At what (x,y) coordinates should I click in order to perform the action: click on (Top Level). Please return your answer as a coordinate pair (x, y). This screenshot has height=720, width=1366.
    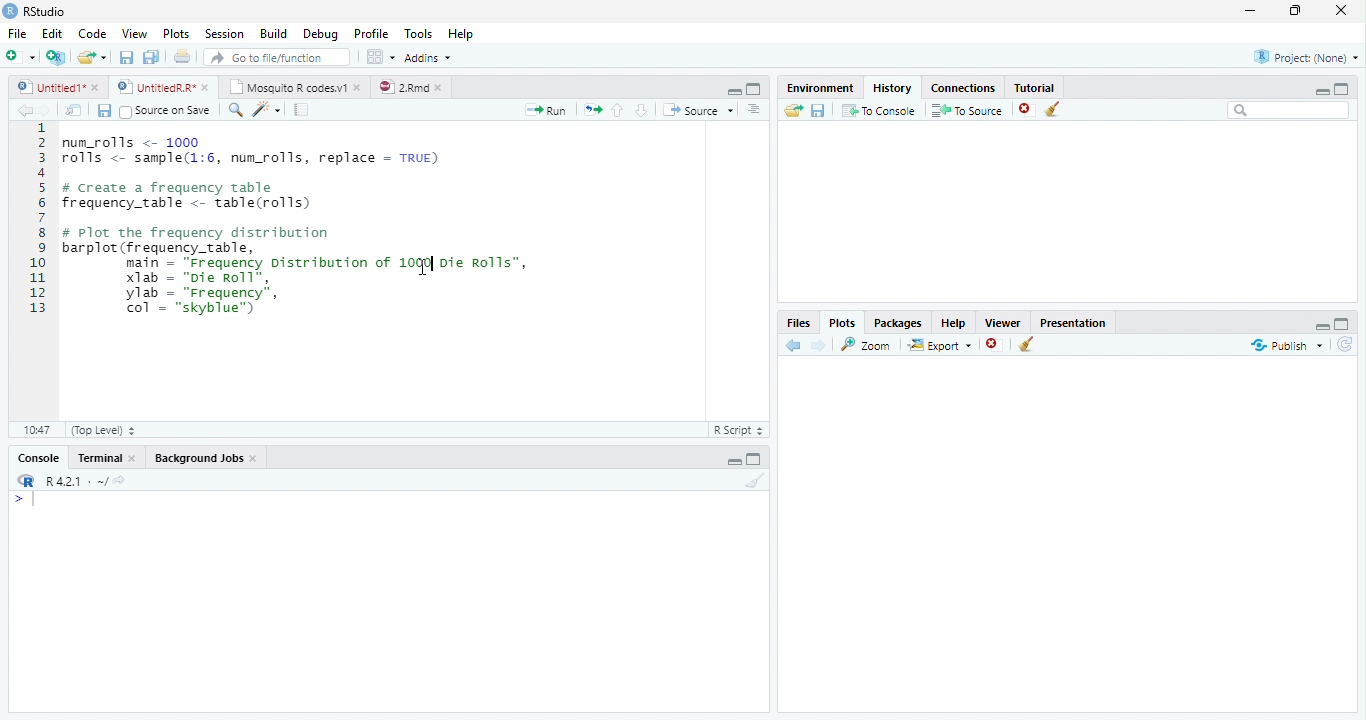
    Looking at the image, I should click on (103, 430).